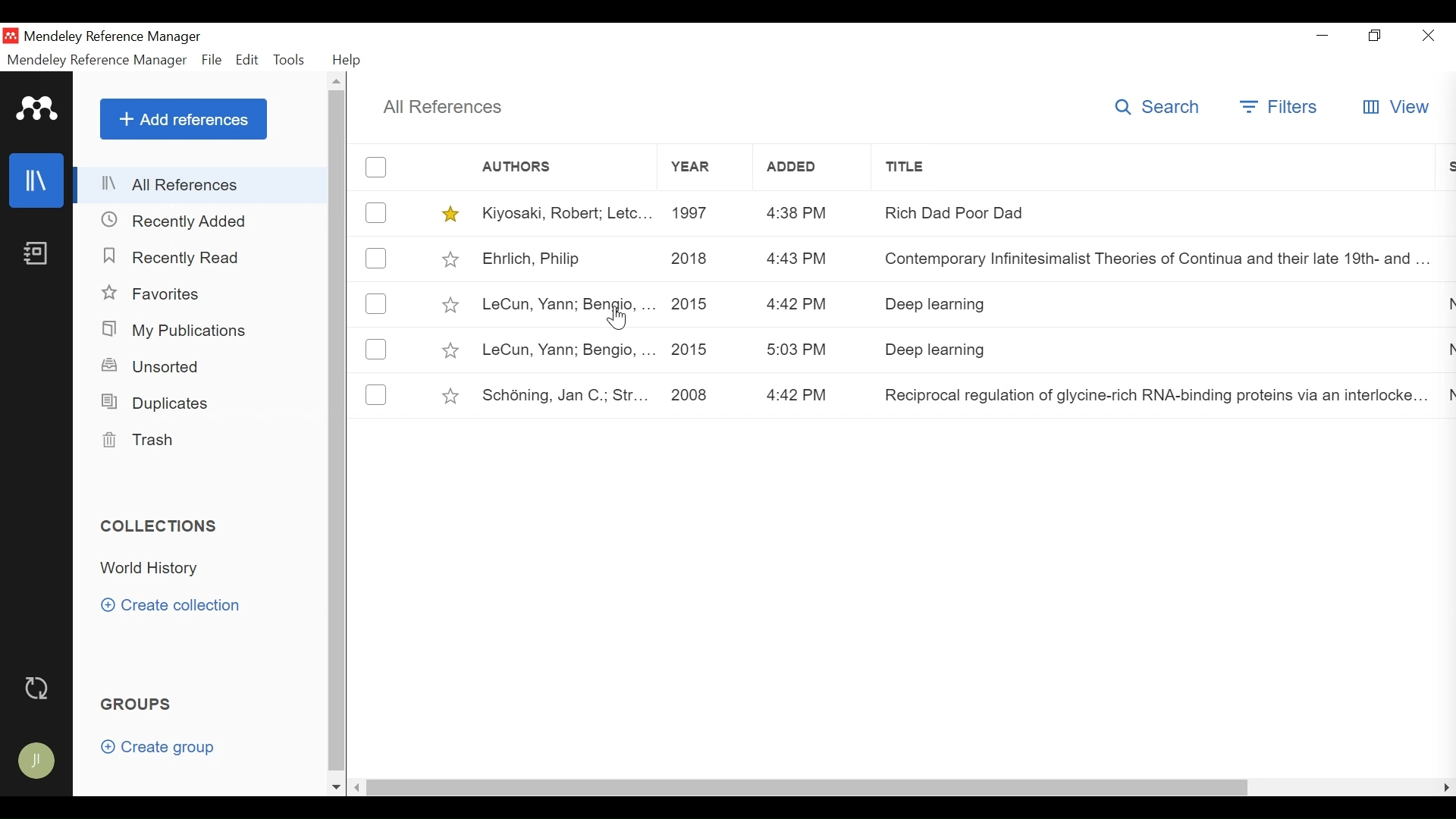 The height and width of the screenshot is (819, 1456). What do you see at coordinates (1376, 36) in the screenshot?
I see `Restore` at bounding box center [1376, 36].